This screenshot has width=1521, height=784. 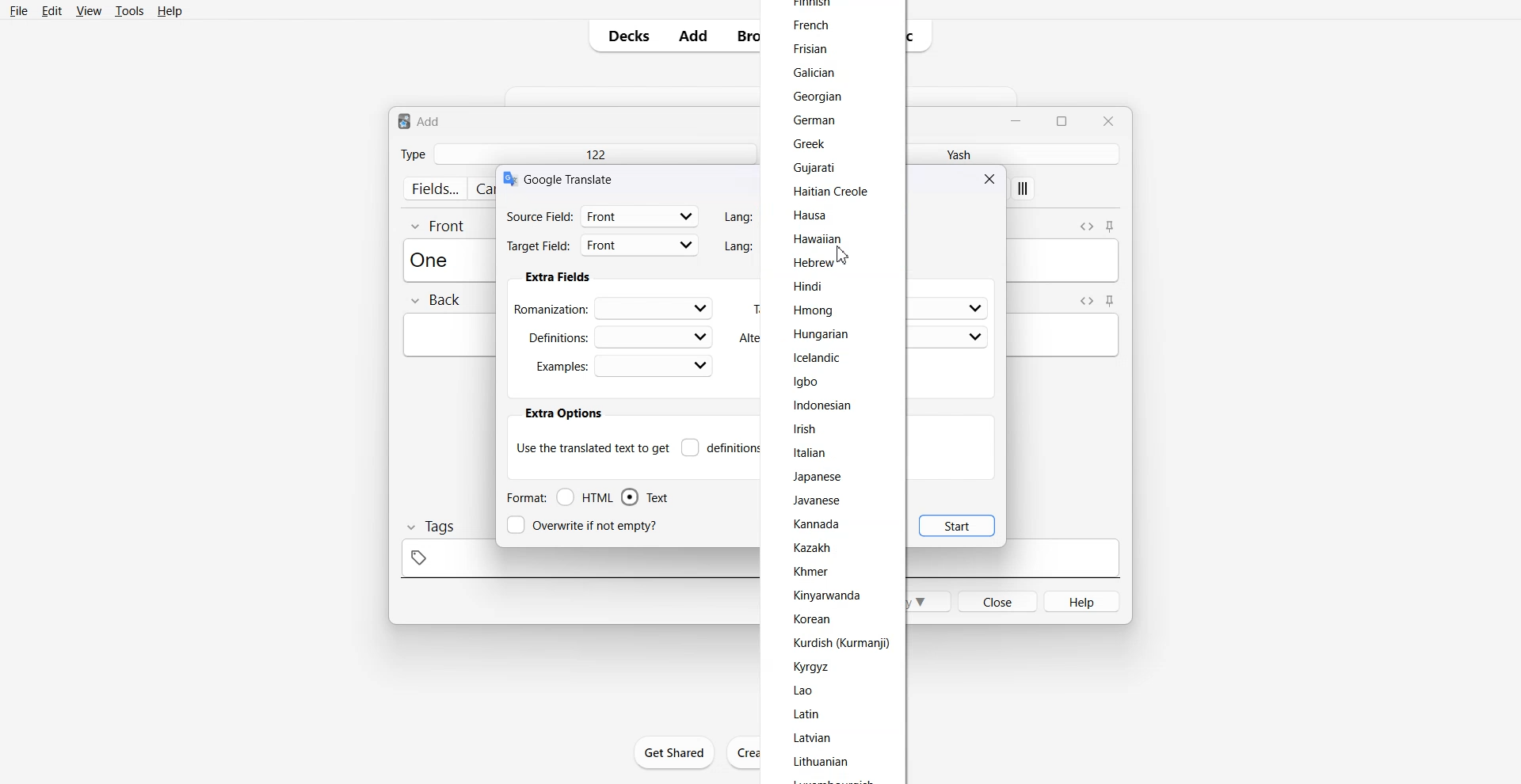 What do you see at coordinates (807, 691) in the screenshot?
I see `Lao` at bounding box center [807, 691].